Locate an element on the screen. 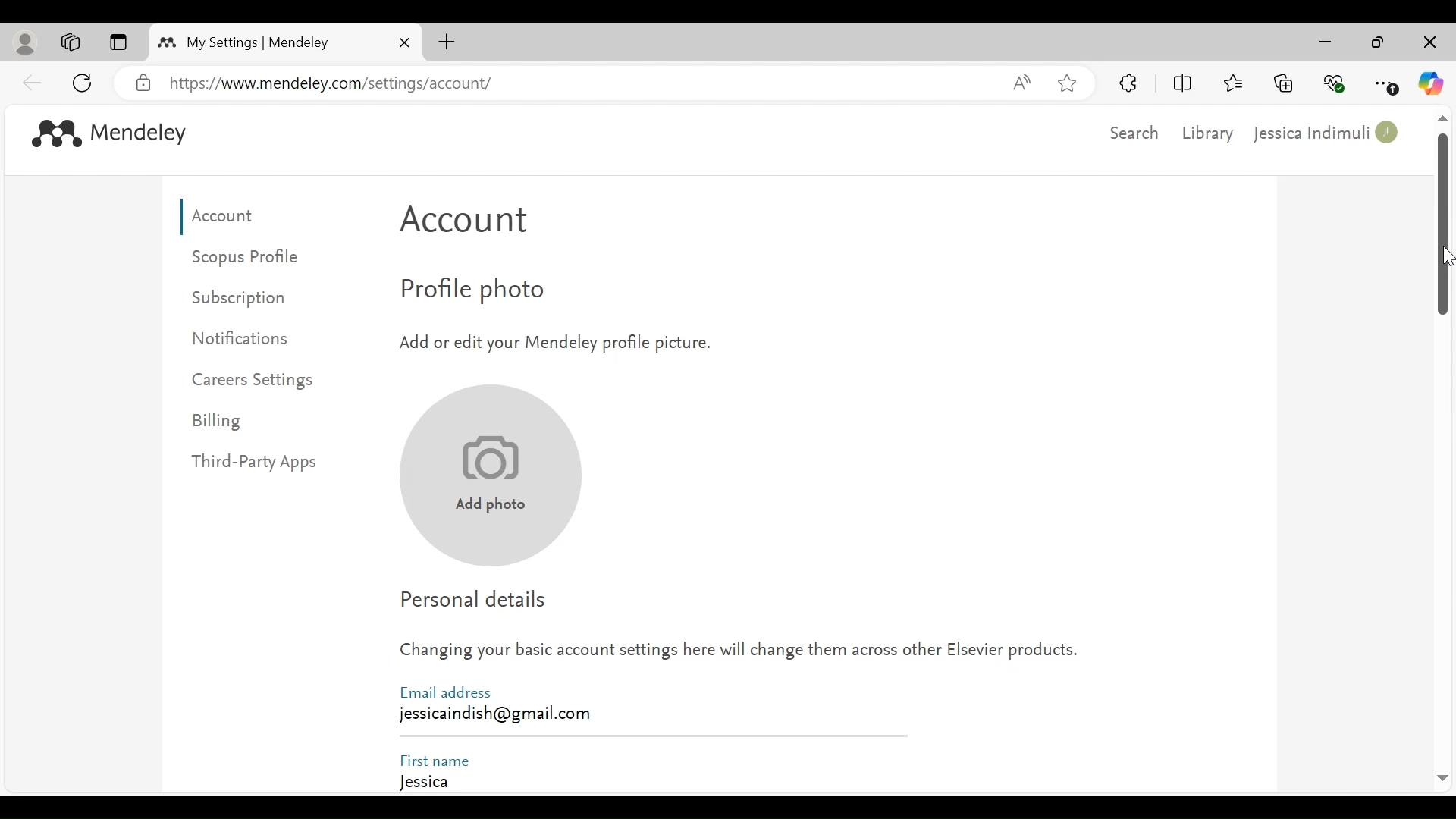 The image size is (1456, 819). jessical indimuli is located at coordinates (1327, 134).